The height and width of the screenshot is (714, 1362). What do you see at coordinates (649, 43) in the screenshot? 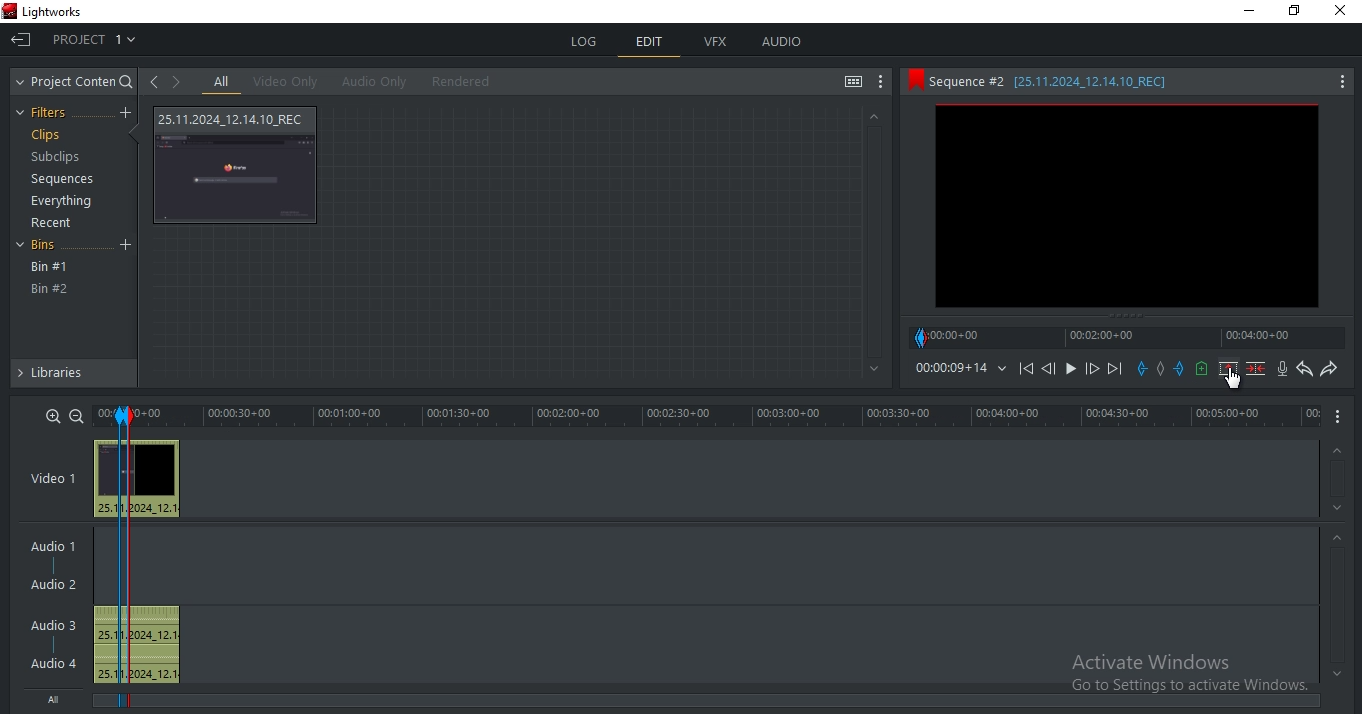
I see `edit` at bounding box center [649, 43].